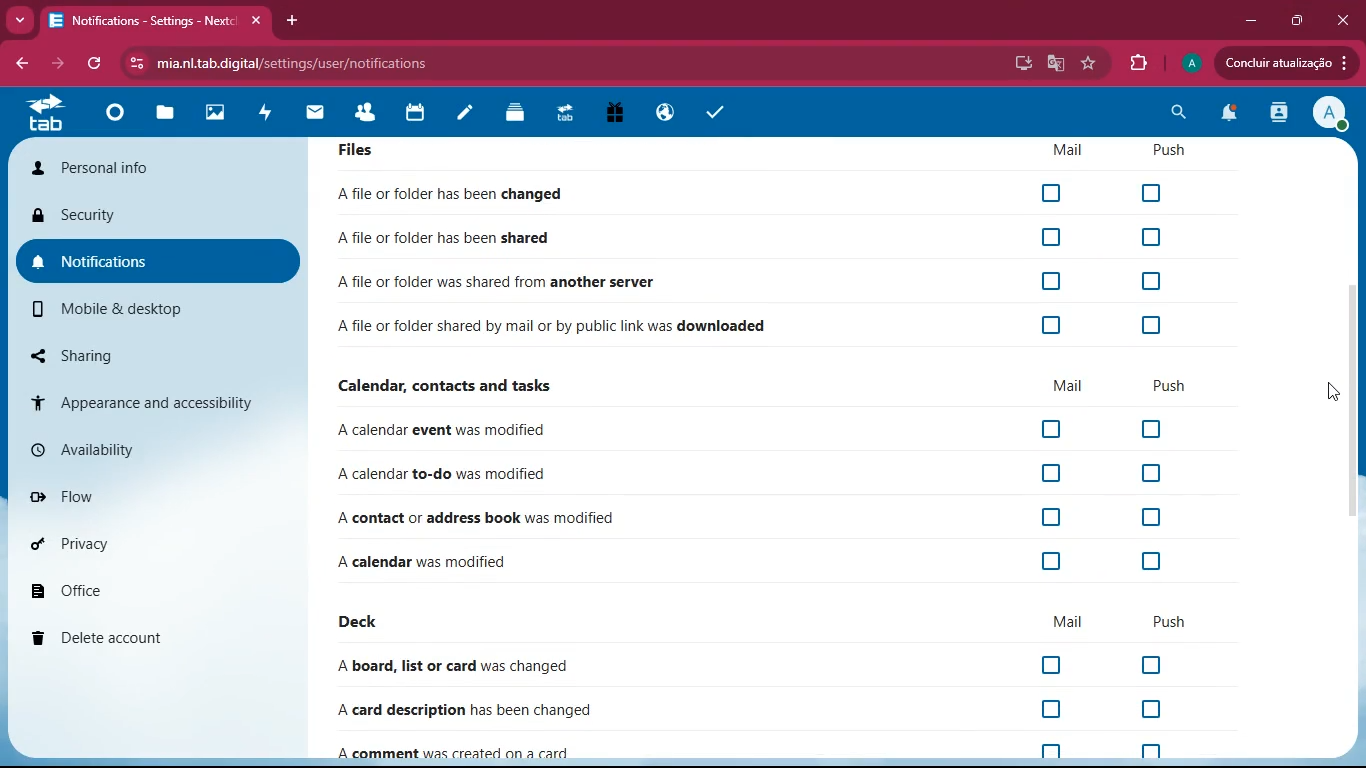  What do you see at coordinates (1055, 63) in the screenshot?
I see `google translate` at bounding box center [1055, 63].